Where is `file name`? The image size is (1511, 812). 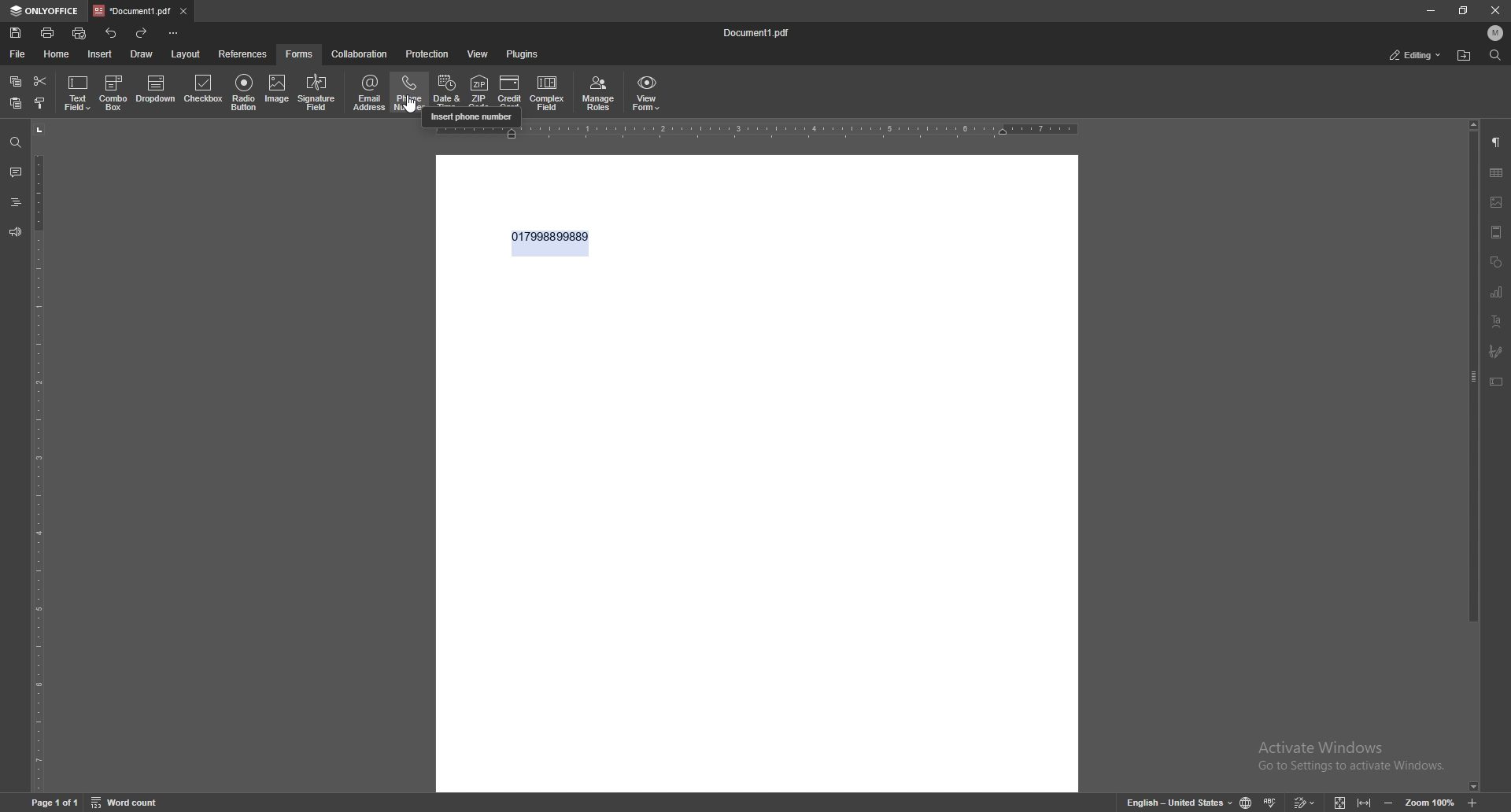 file name is located at coordinates (755, 34).